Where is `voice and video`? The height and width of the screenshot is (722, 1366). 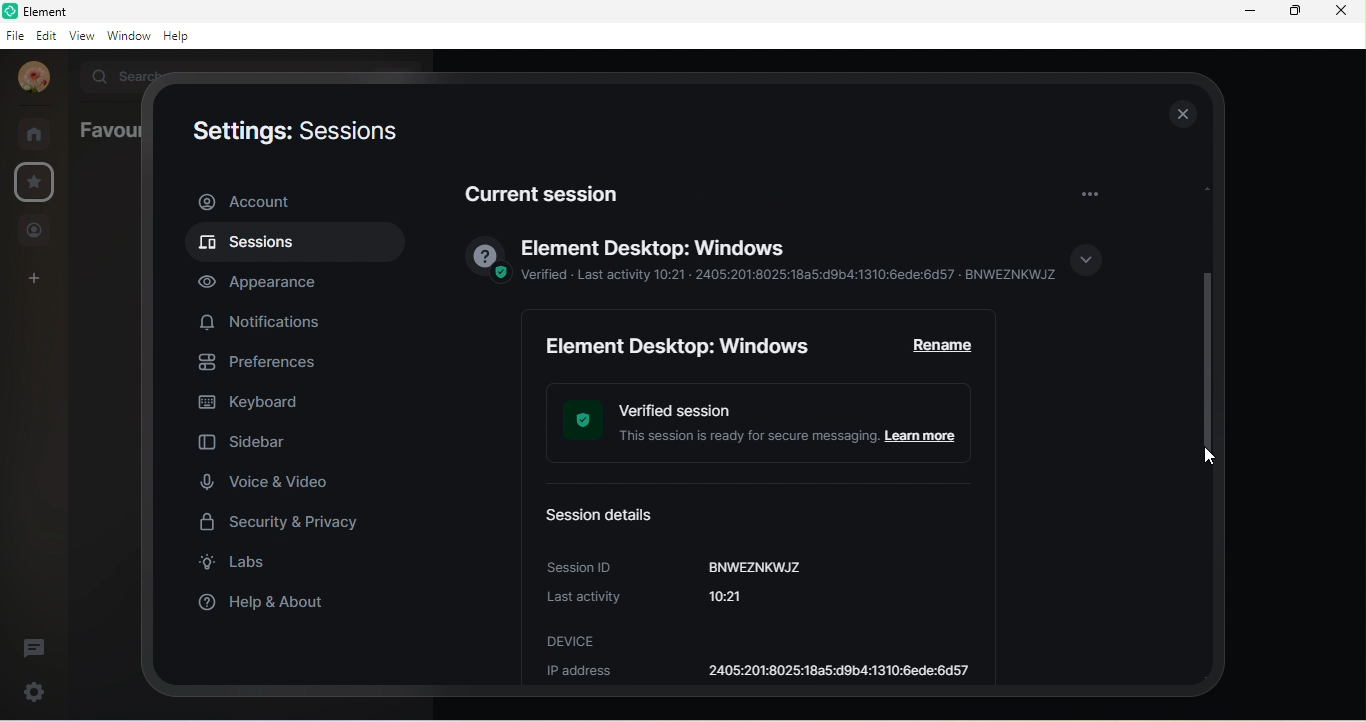 voice and video is located at coordinates (265, 481).